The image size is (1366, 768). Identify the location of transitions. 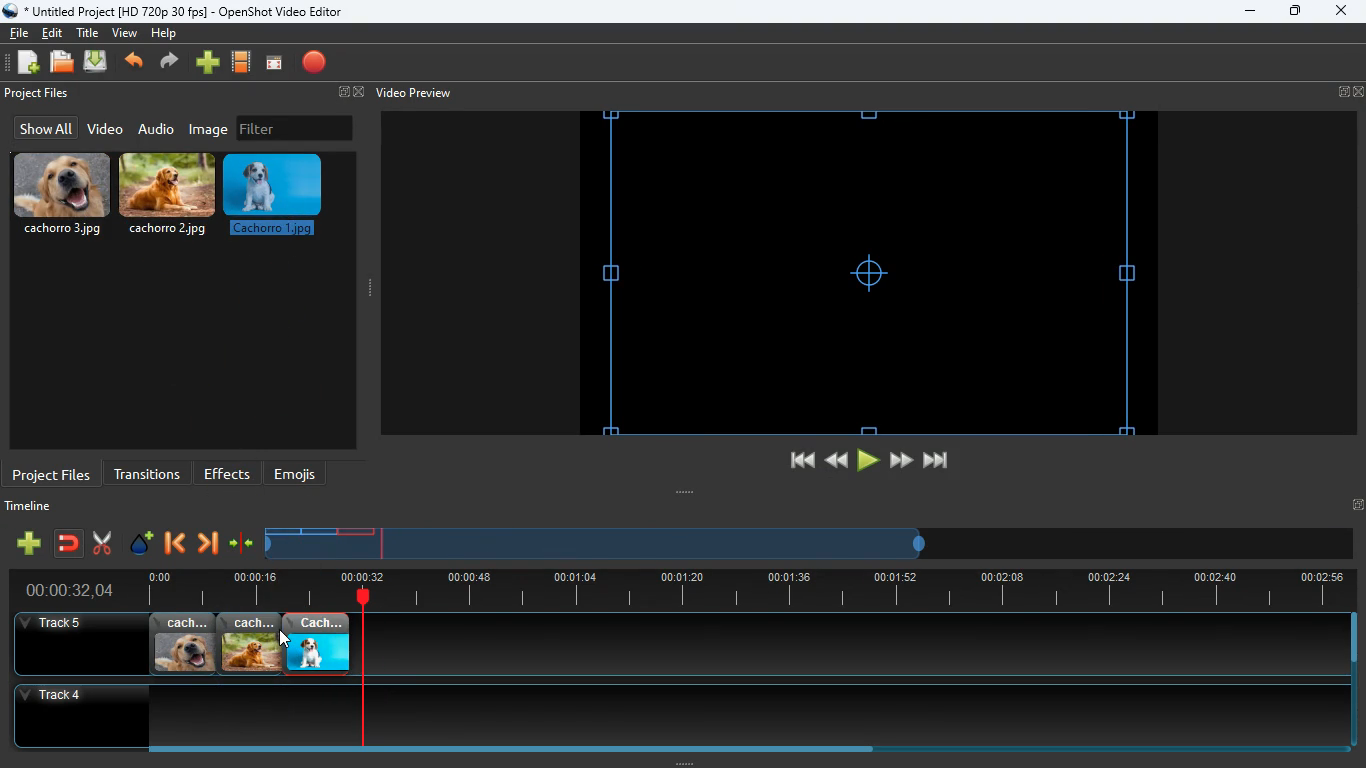
(147, 472).